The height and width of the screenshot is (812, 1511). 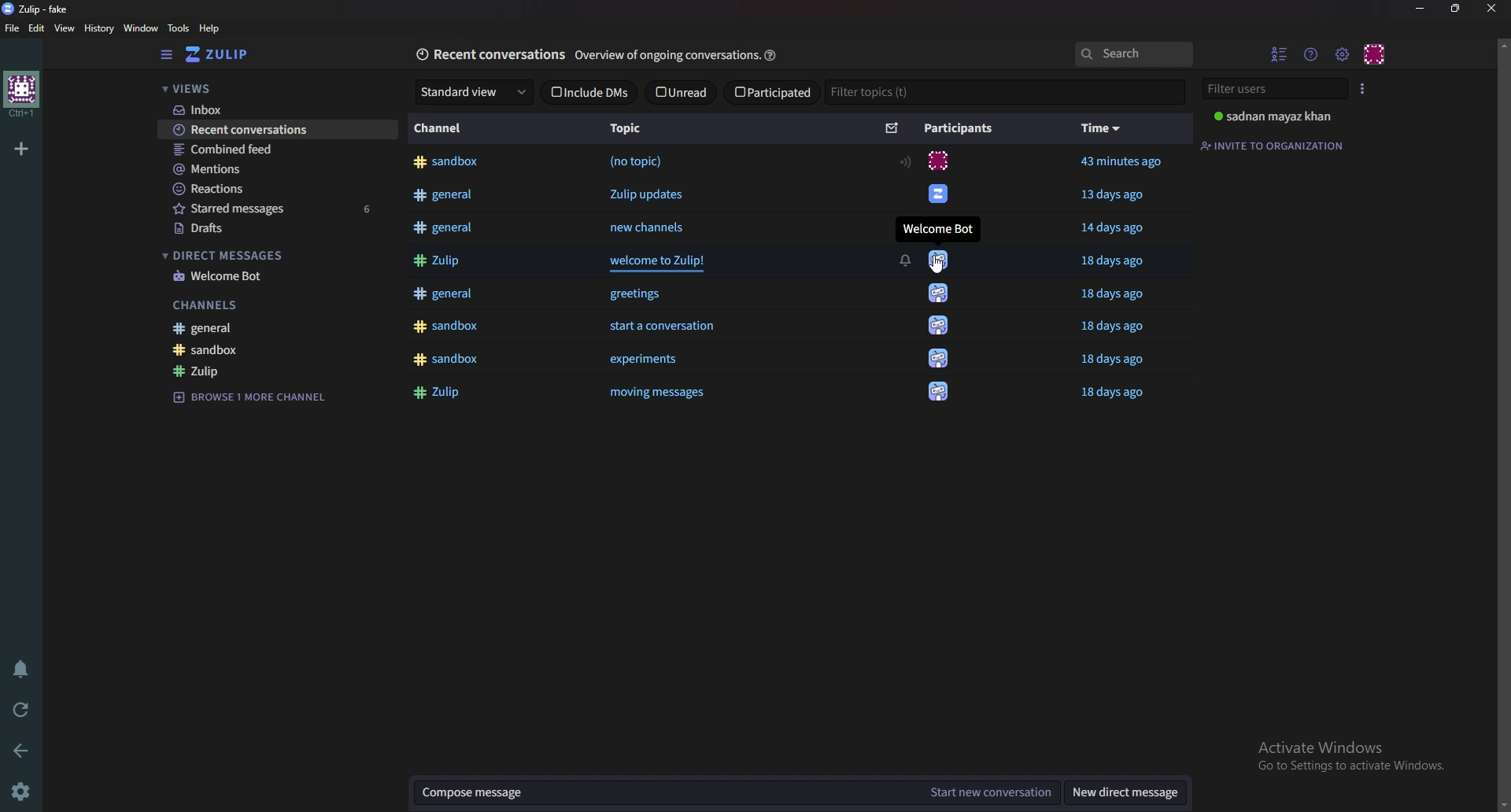 I want to click on Mentions, so click(x=276, y=168).